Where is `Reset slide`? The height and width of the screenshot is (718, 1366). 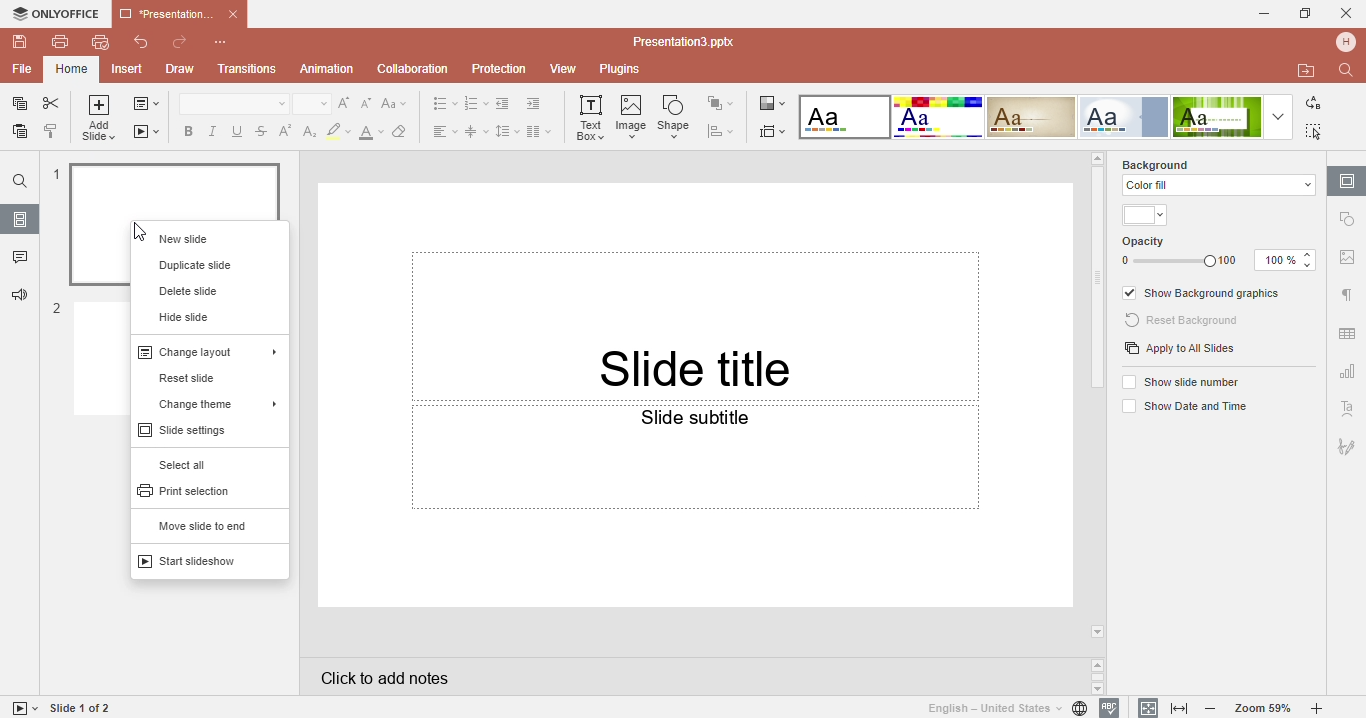
Reset slide is located at coordinates (198, 378).